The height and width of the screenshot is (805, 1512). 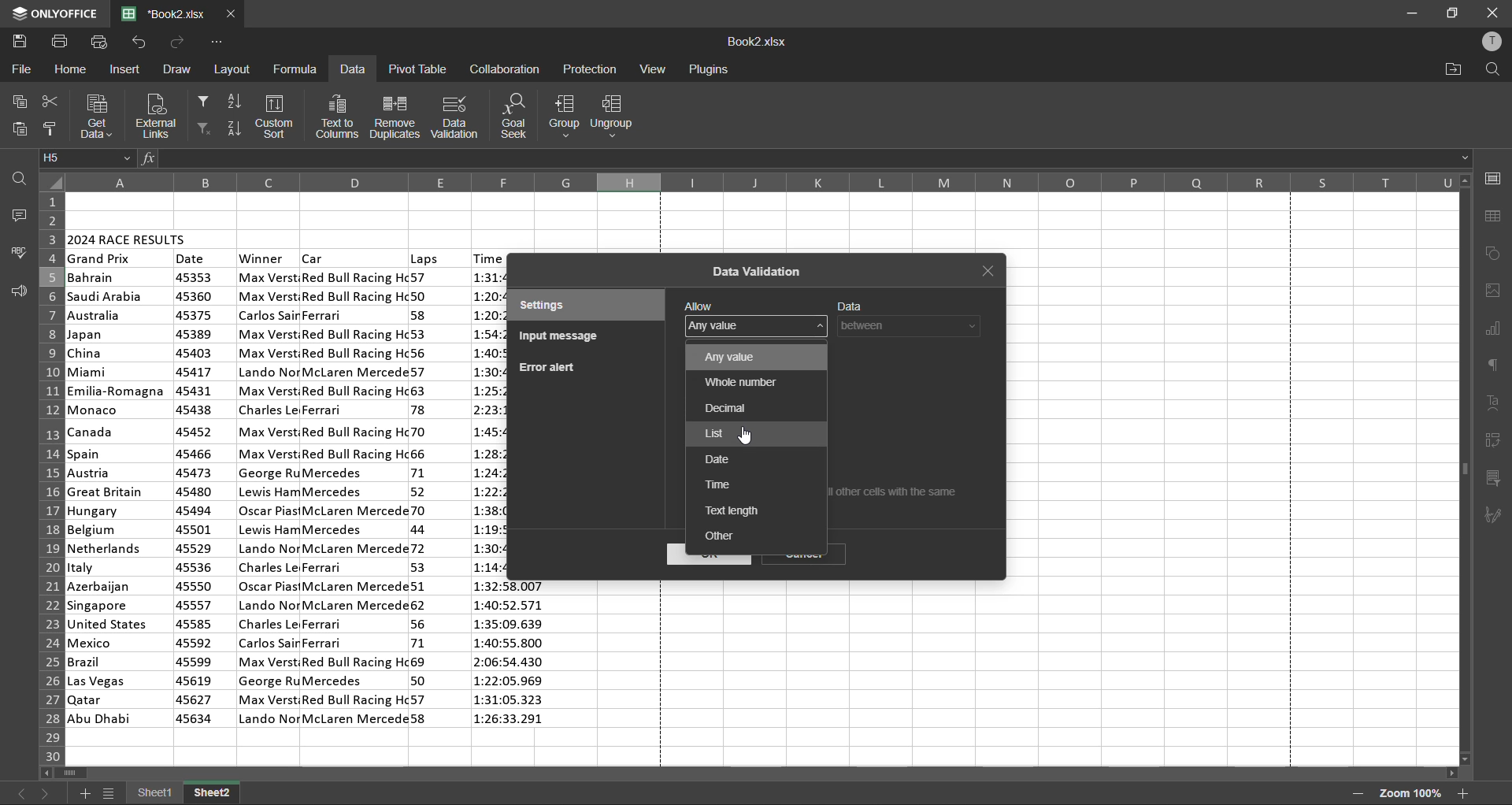 What do you see at coordinates (1494, 441) in the screenshot?
I see `pivot table` at bounding box center [1494, 441].